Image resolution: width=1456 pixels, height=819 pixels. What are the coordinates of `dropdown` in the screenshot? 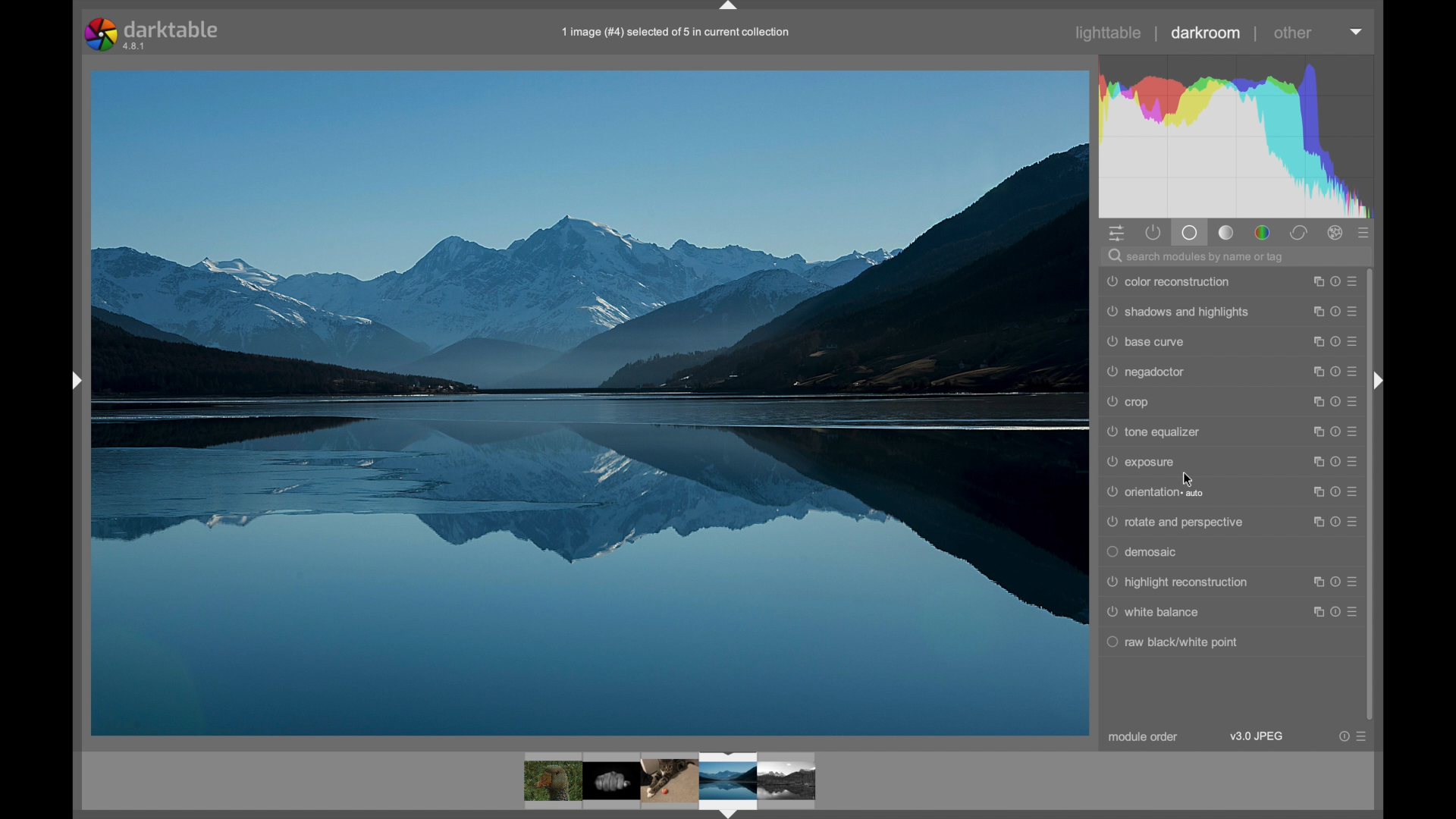 It's located at (1356, 31).